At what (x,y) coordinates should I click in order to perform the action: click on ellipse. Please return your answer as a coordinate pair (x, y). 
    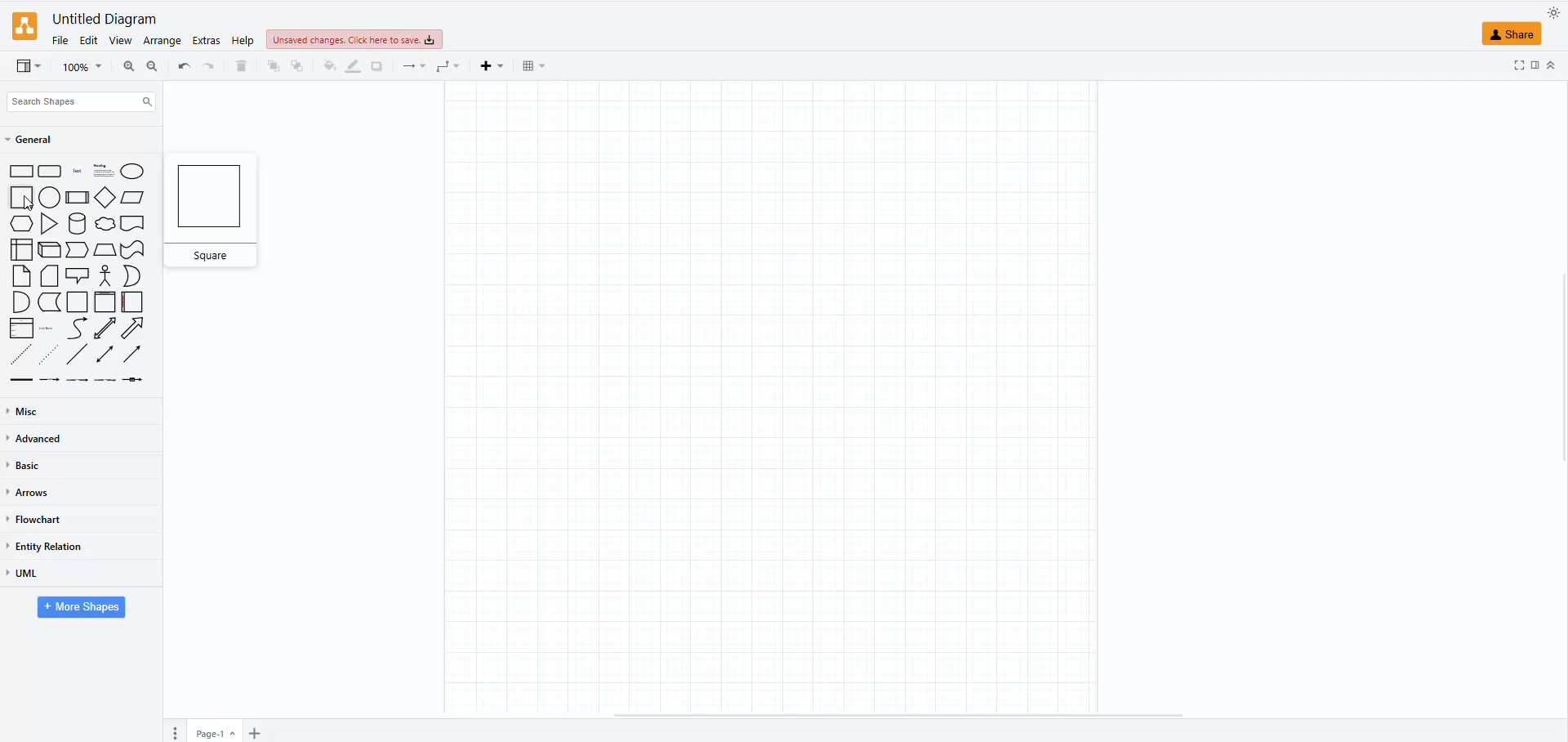
    Looking at the image, I should click on (131, 171).